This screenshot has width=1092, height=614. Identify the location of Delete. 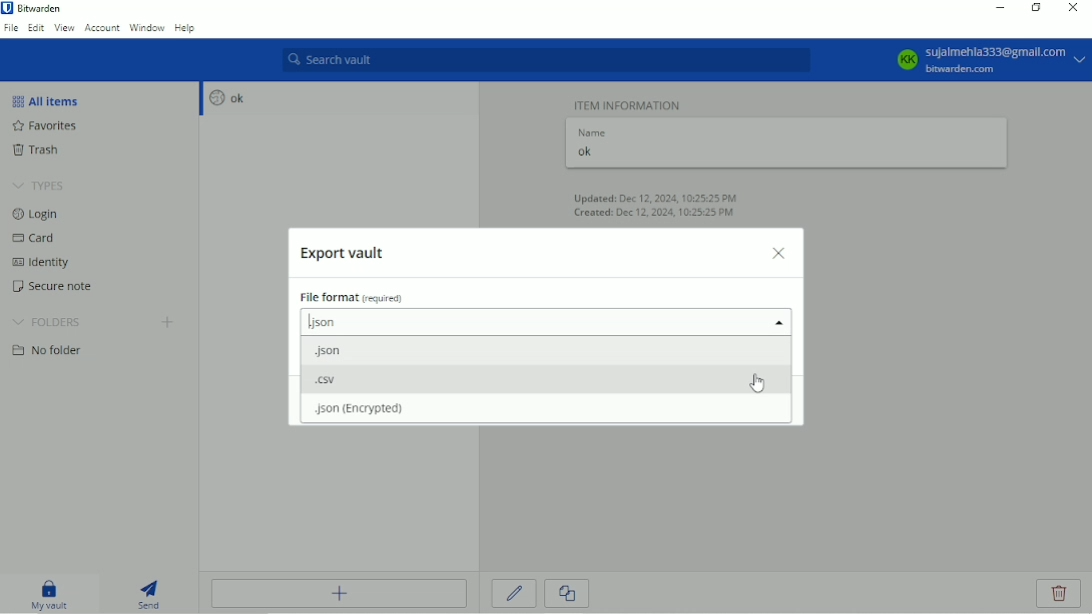
(1060, 594).